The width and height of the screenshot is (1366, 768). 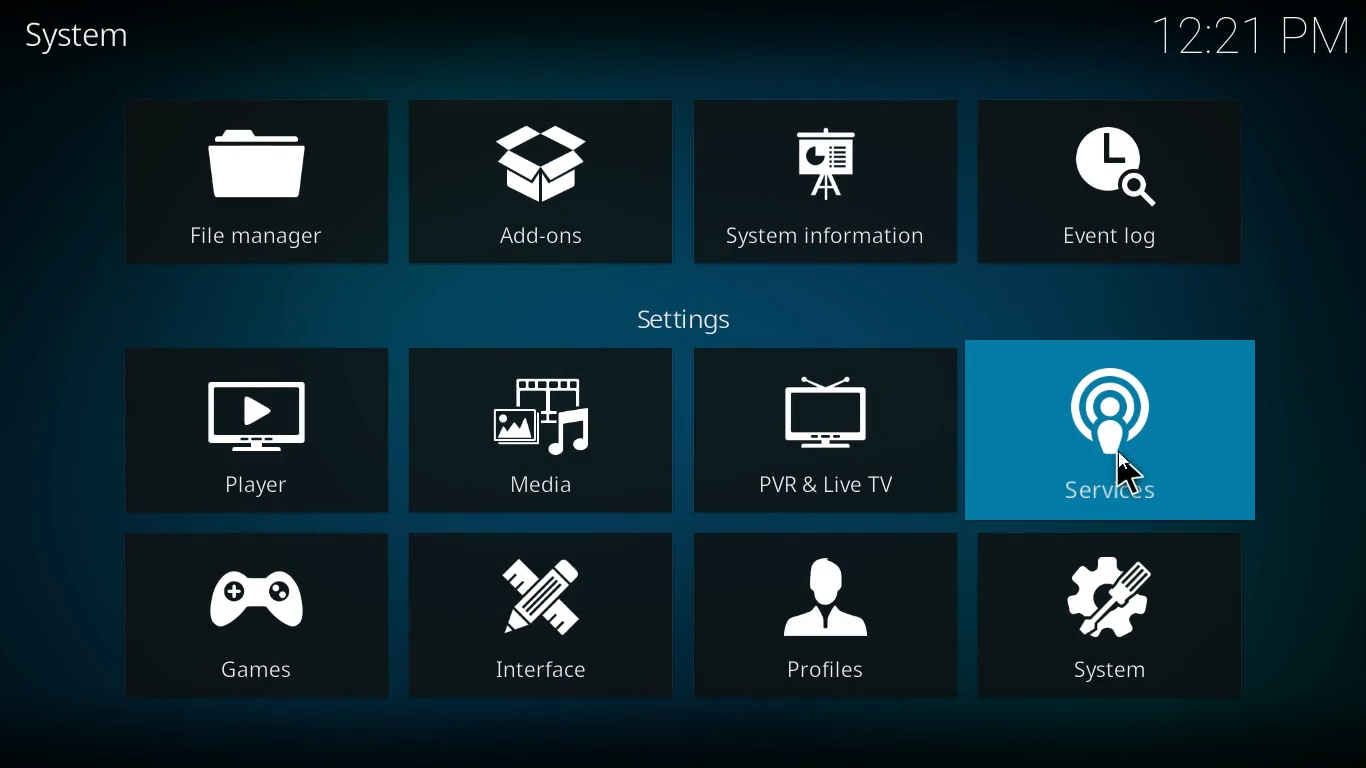 I want to click on system information, so click(x=820, y=179).